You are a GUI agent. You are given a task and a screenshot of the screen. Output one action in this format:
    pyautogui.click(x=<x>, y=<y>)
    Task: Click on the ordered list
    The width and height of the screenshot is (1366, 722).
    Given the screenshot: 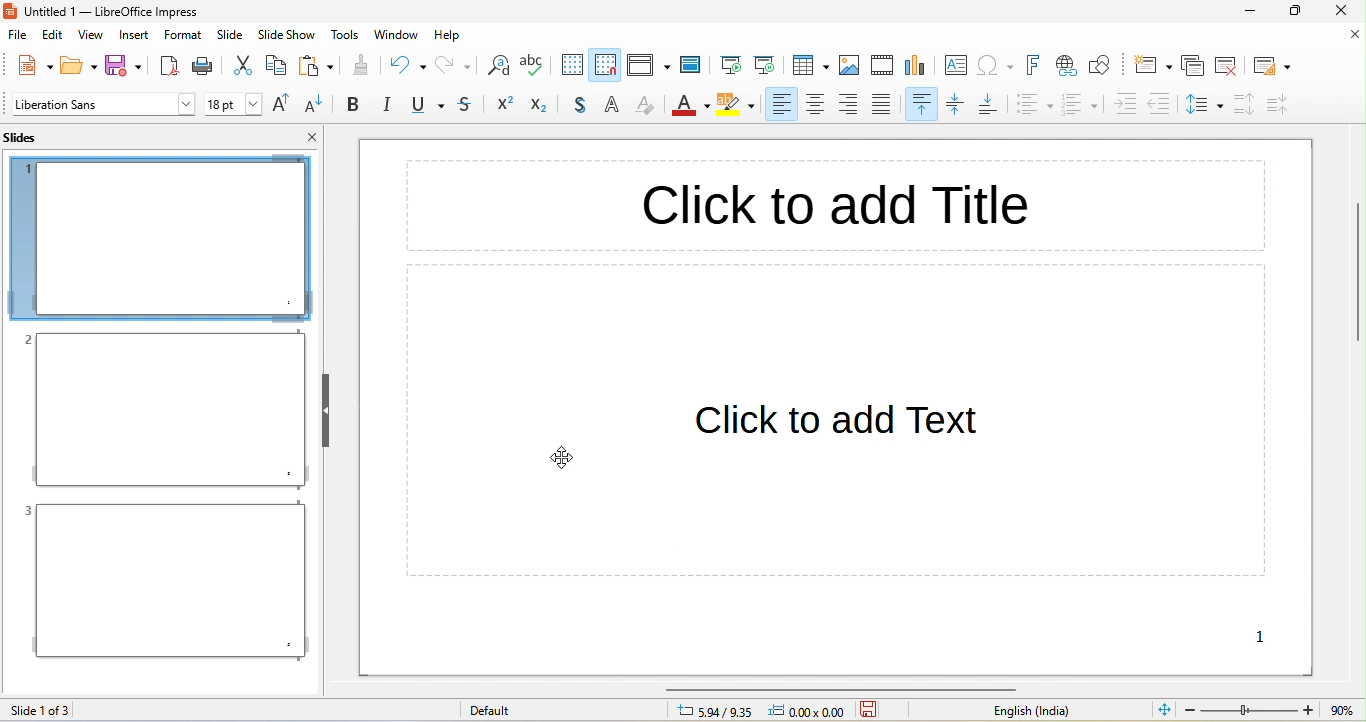 What is the action you would take?
    pyautogui.click(x=1080, y=106)
    